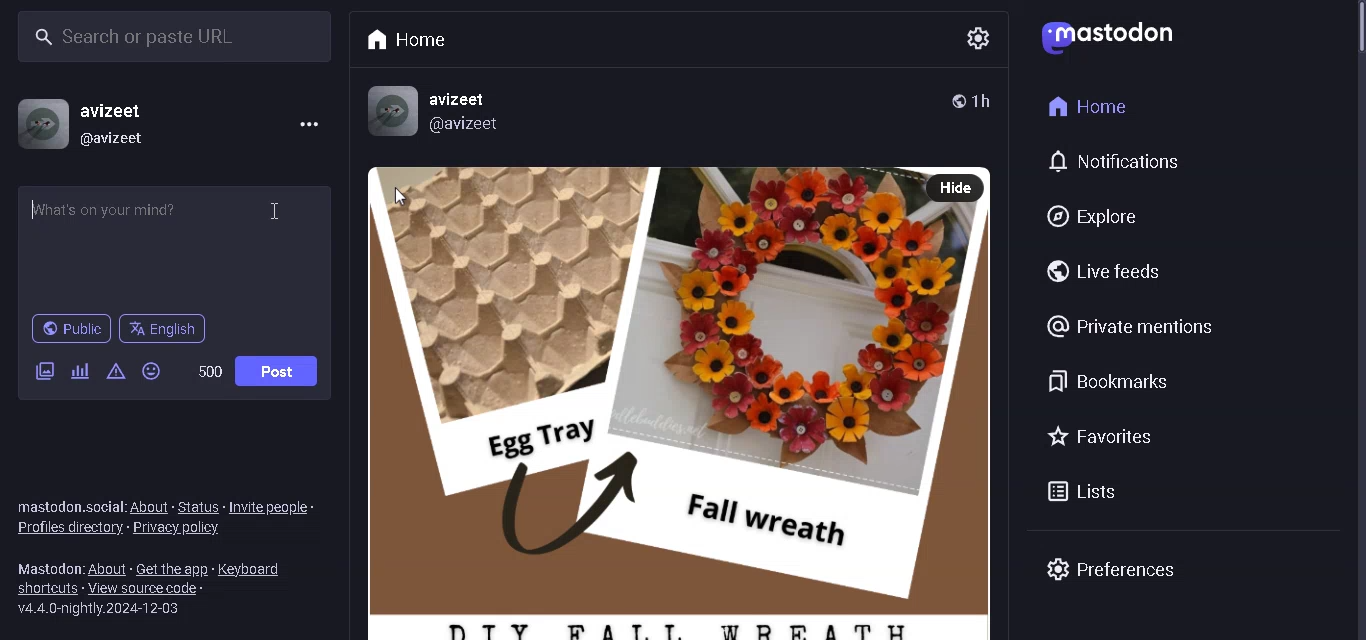  Describe the element at coordinates (68, 530) in the screenshot. I see `PROFILES DIRECORY` at that location.